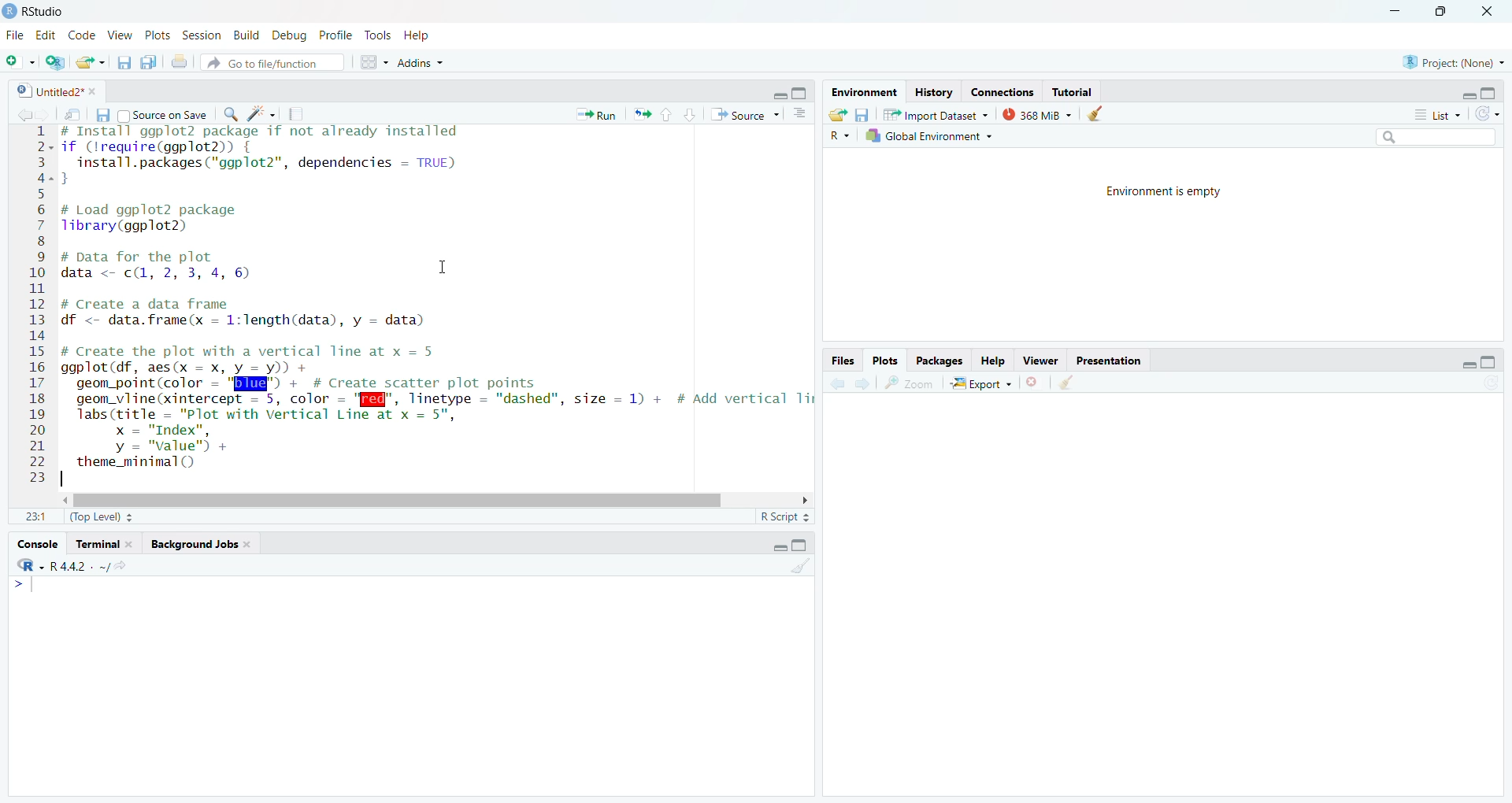 The width and height of the screenshot is (1512, 803). I want to click on move, so click(74, 116).